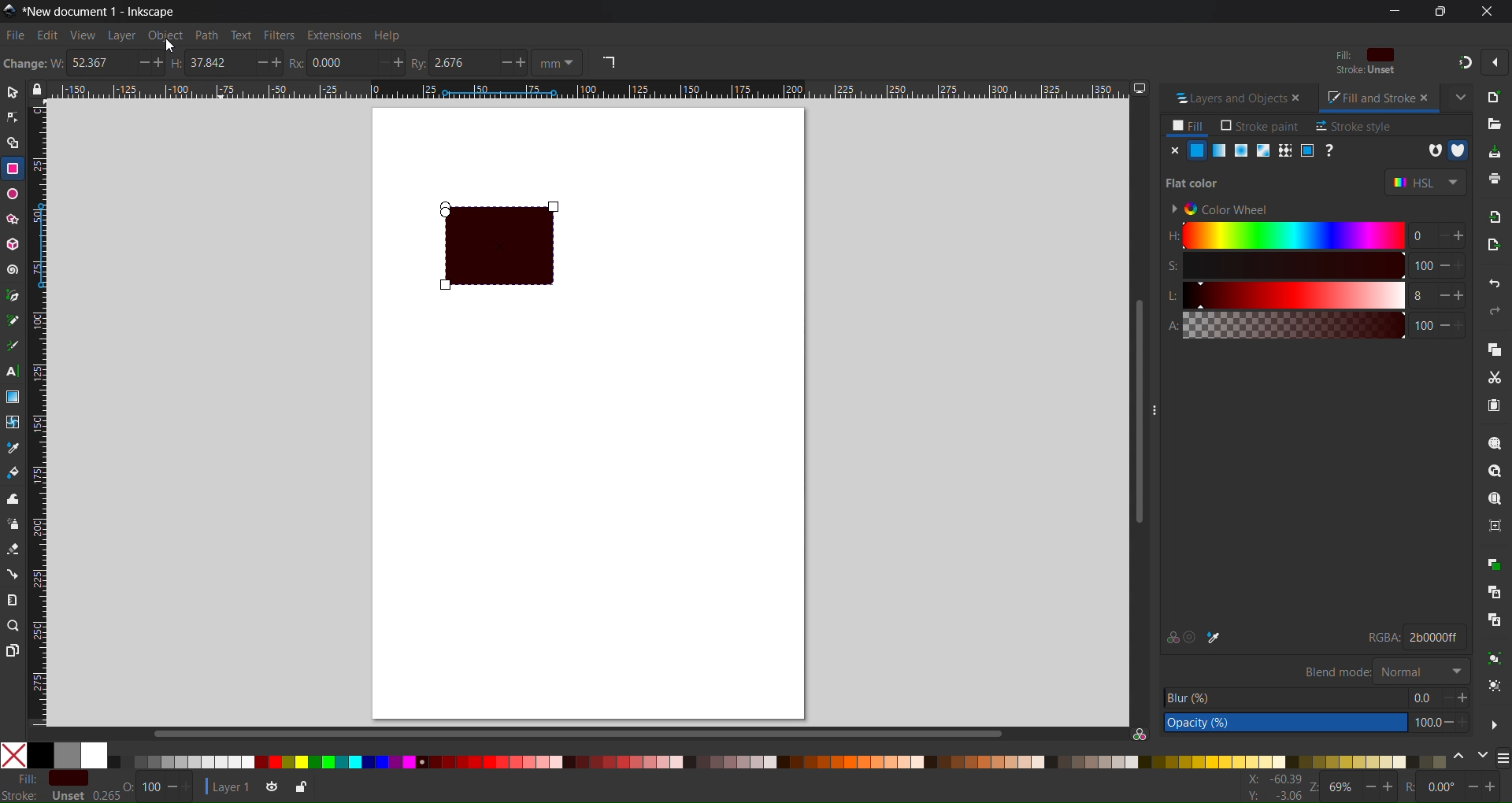  Describe the element at coordinates (1494, 472) in the screenshot. I see `Zoom drawing` at that location.